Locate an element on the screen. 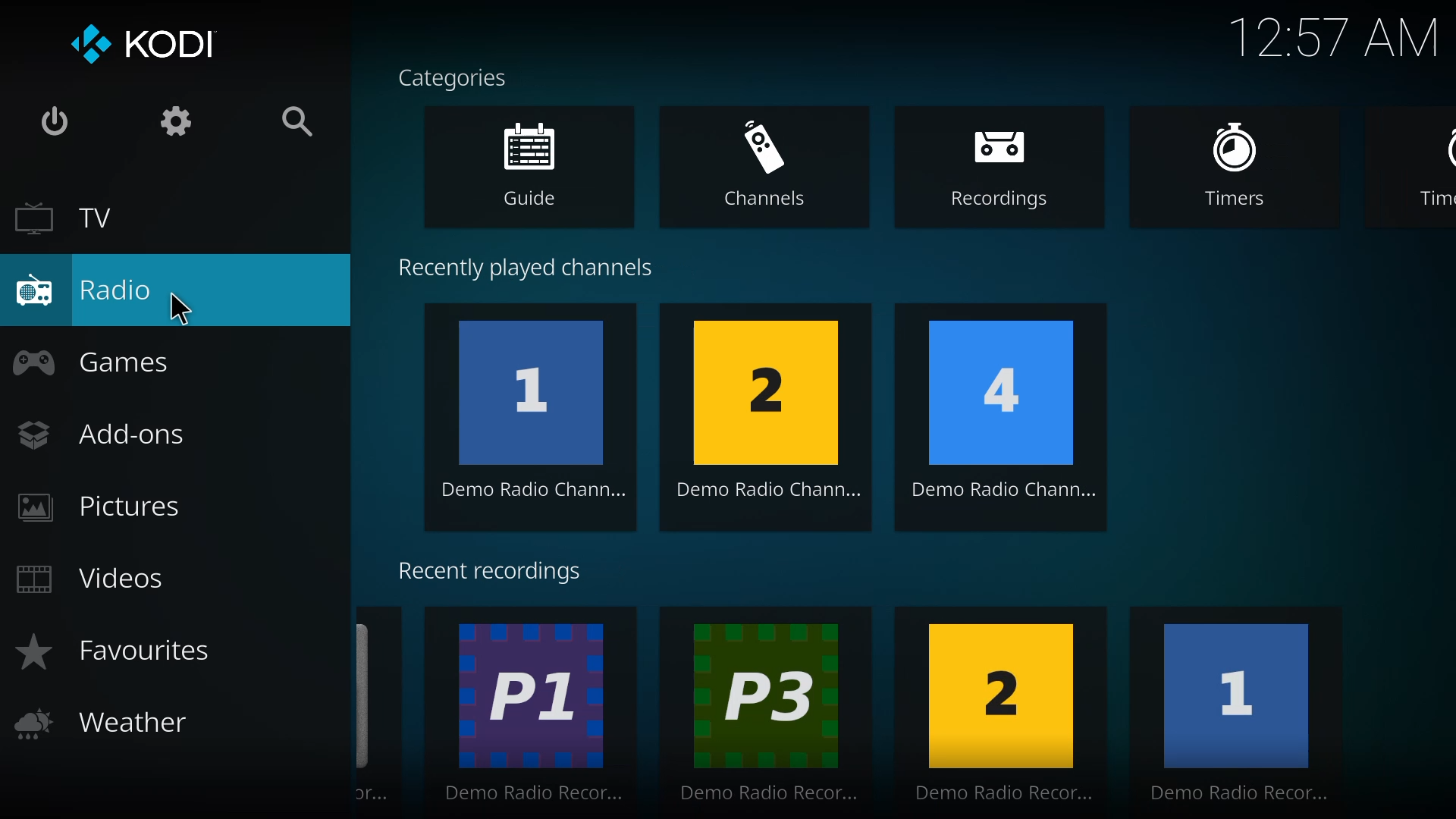 The width and height of the screenshot is (1456, 819). 1 Demo Radio Chann... is located at coordinates (530, 416).